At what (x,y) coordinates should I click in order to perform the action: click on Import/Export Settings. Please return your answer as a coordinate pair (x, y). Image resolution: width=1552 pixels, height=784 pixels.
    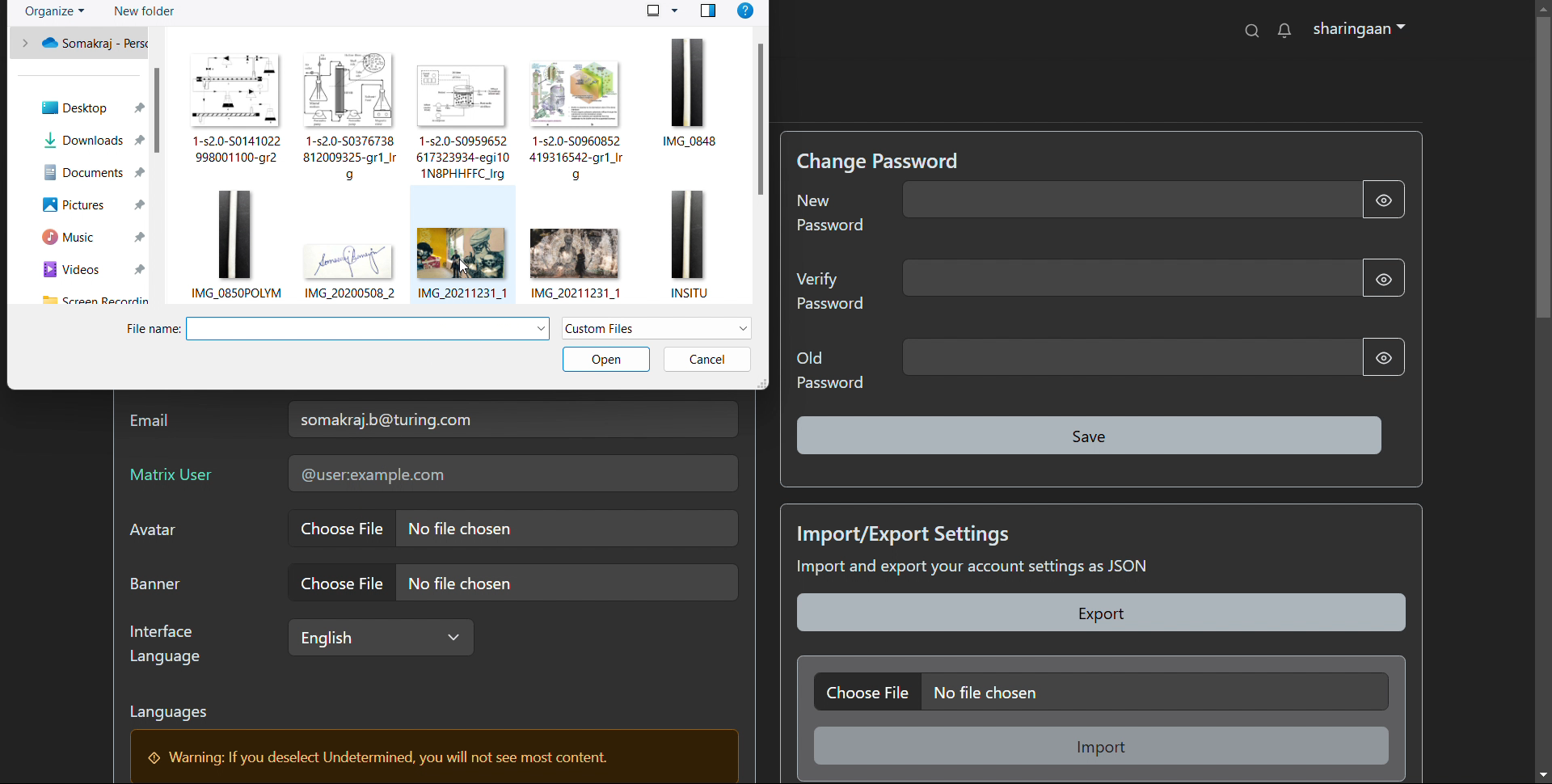
    Looking at the image, I should click on (908, 532).